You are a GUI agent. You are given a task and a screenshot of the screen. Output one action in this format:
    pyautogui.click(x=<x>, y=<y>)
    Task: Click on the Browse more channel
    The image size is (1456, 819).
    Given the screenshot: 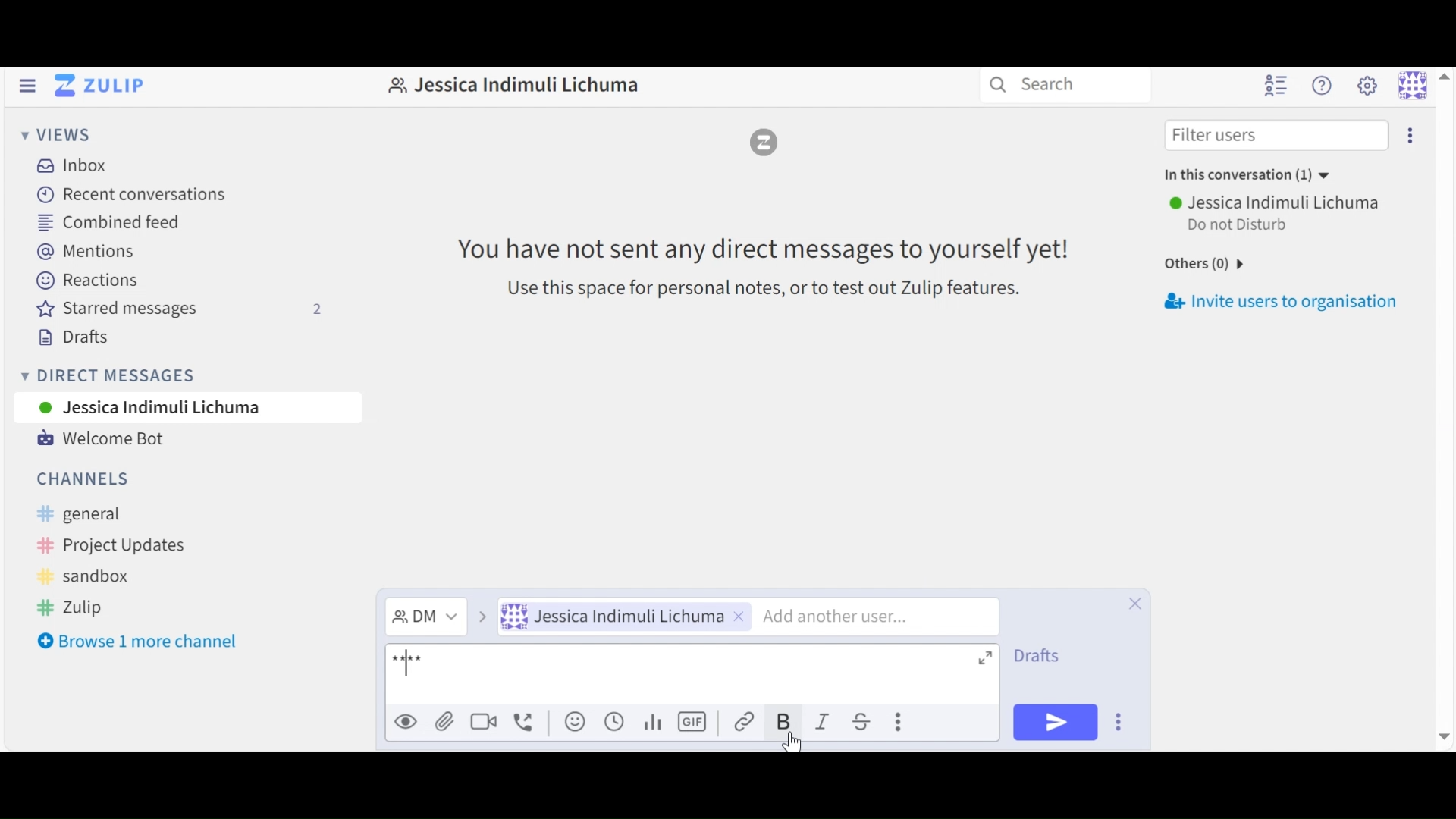 What is the action you would take?
    pyautogui.click(x=137, y=644)
    